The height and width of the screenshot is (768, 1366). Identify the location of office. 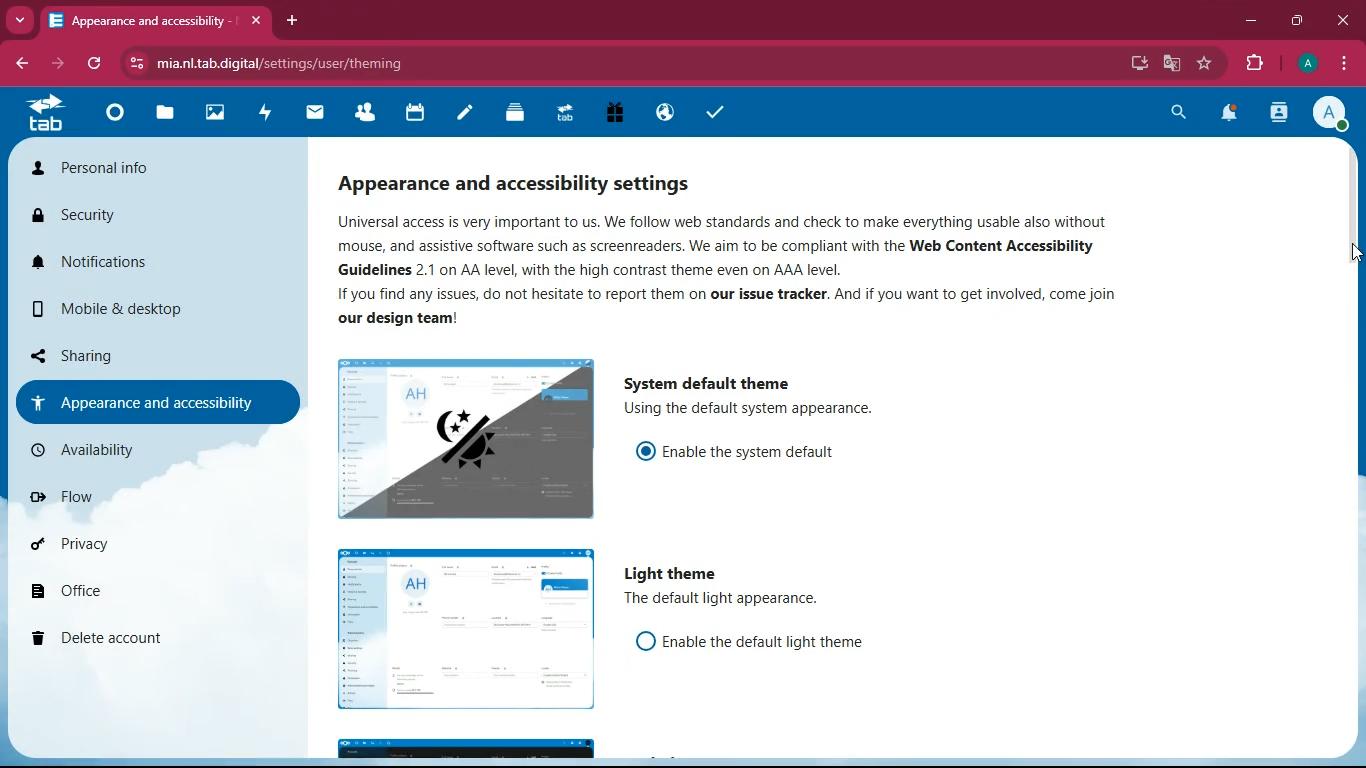
(100, 591).